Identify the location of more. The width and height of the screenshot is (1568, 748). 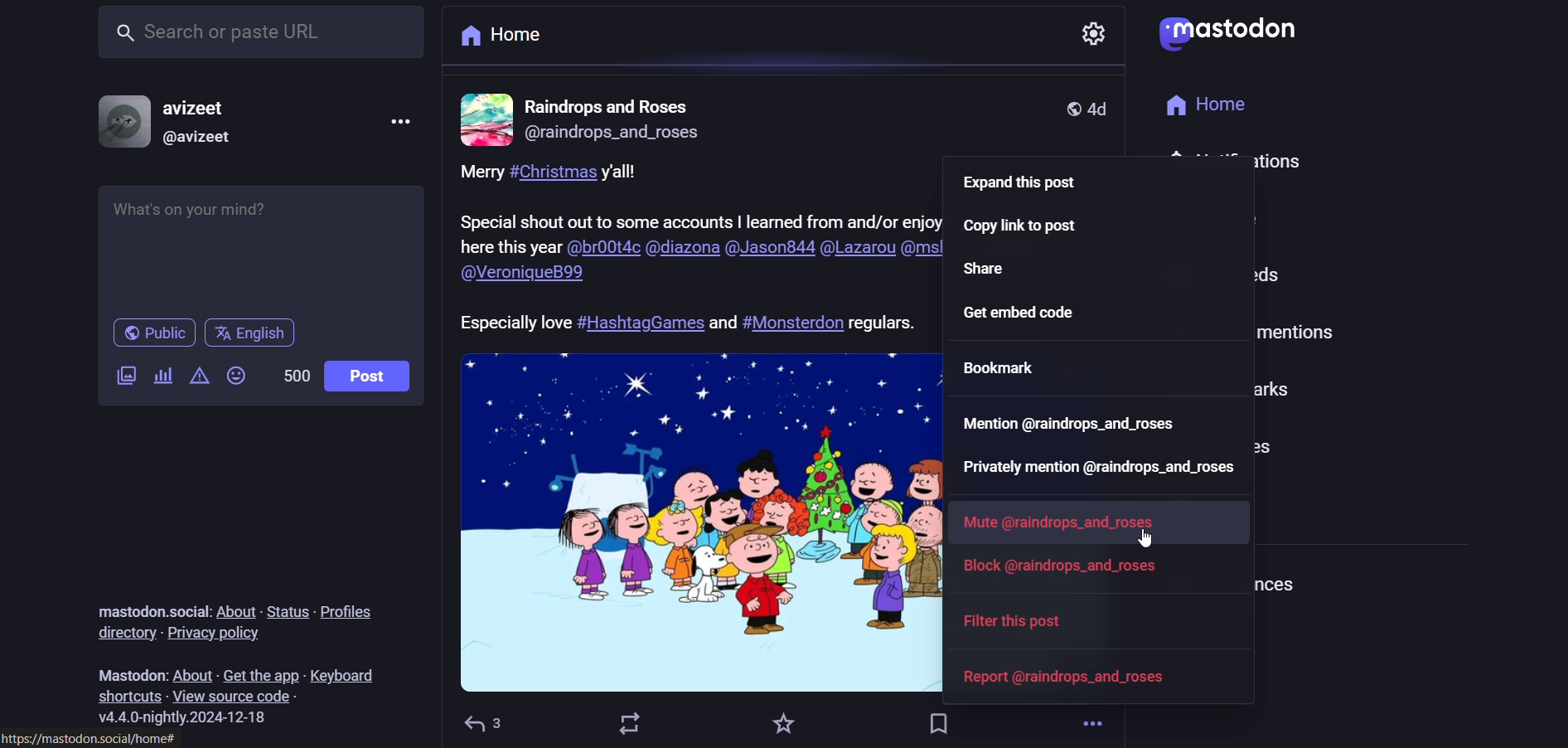
(1091, 725).